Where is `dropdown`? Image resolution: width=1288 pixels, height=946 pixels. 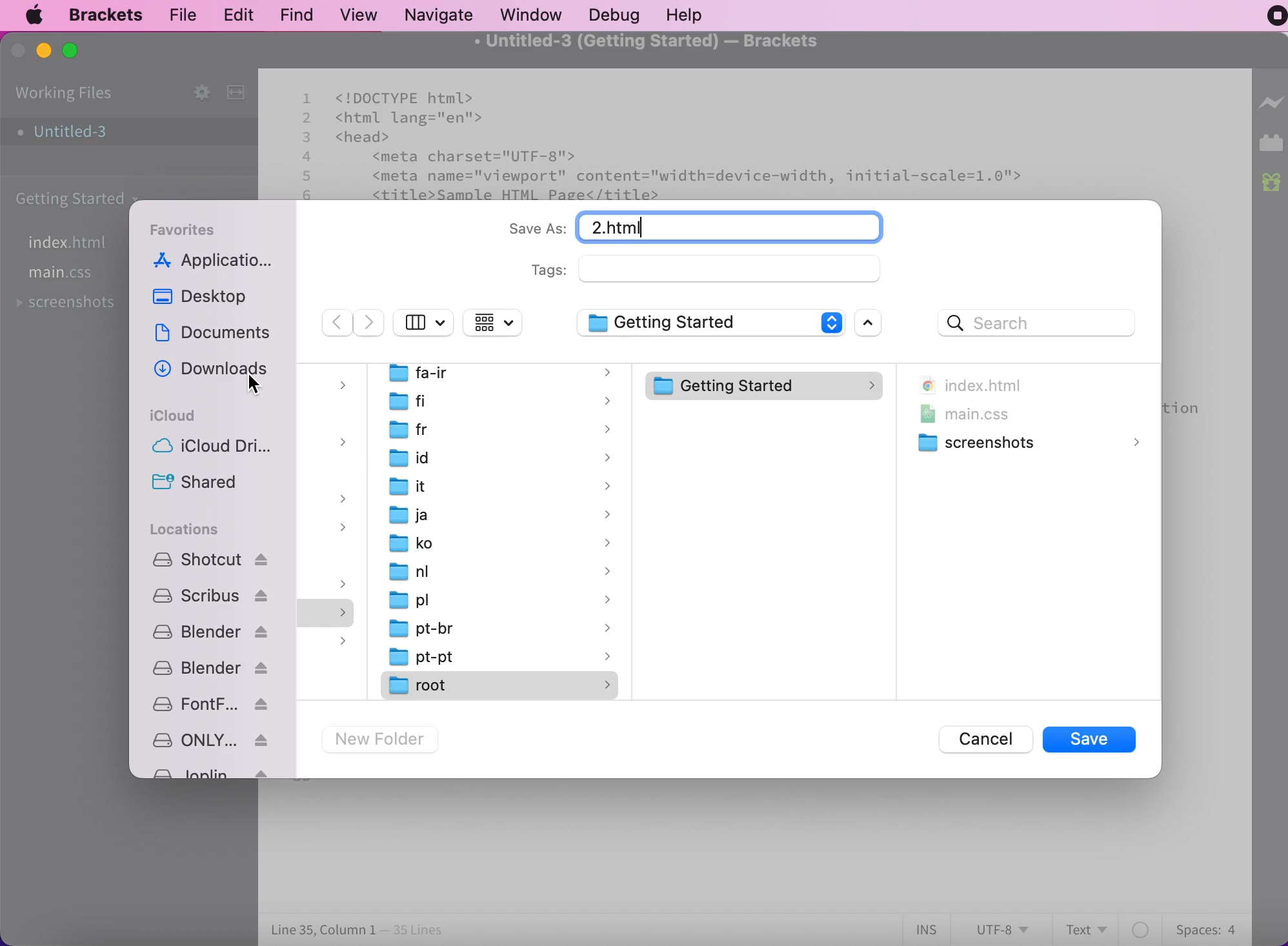 dropdown is located at coordinates (341, 442).